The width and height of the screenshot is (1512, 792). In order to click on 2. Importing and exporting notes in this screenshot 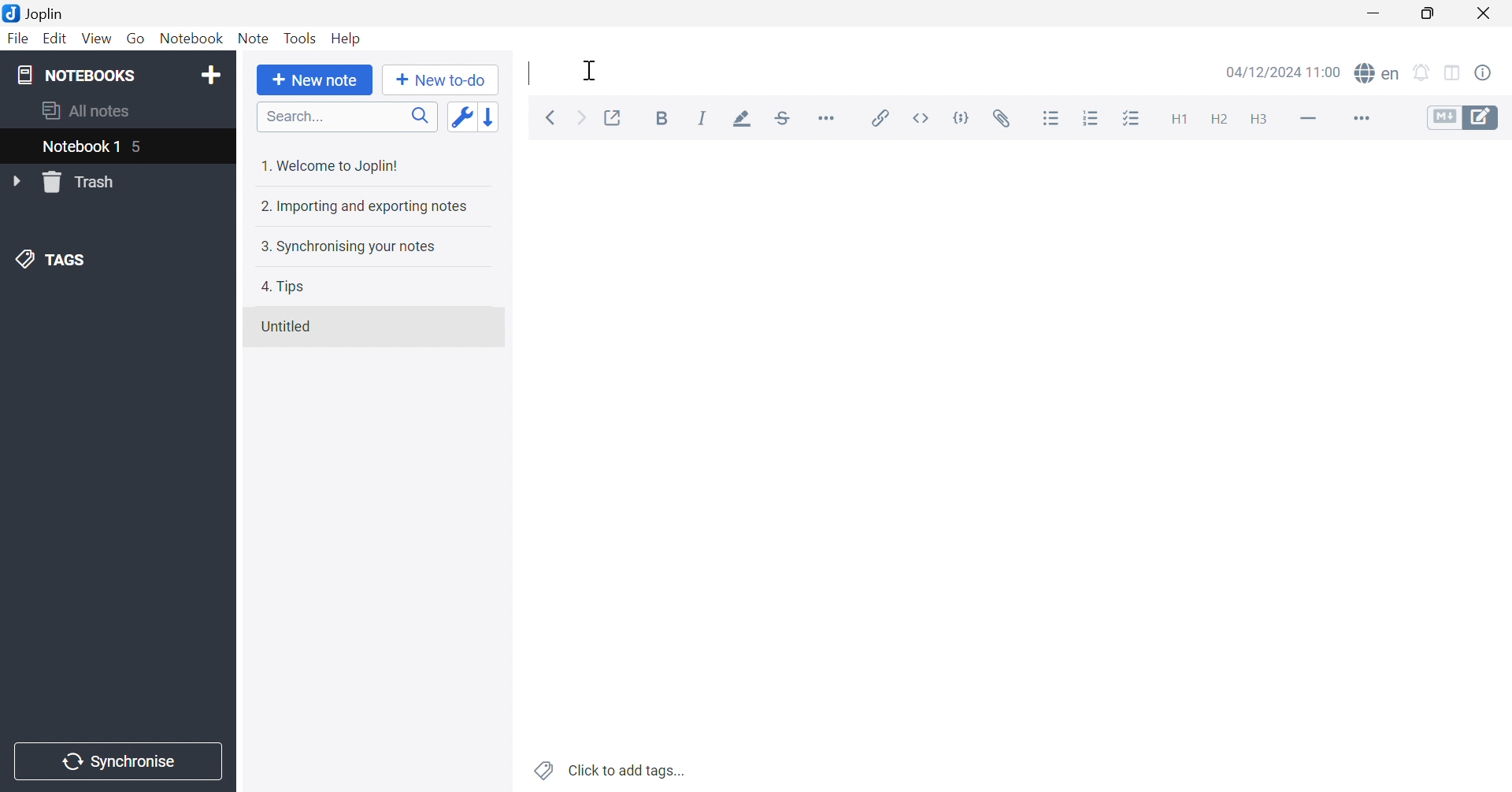, I will do `click(367, 208)`.